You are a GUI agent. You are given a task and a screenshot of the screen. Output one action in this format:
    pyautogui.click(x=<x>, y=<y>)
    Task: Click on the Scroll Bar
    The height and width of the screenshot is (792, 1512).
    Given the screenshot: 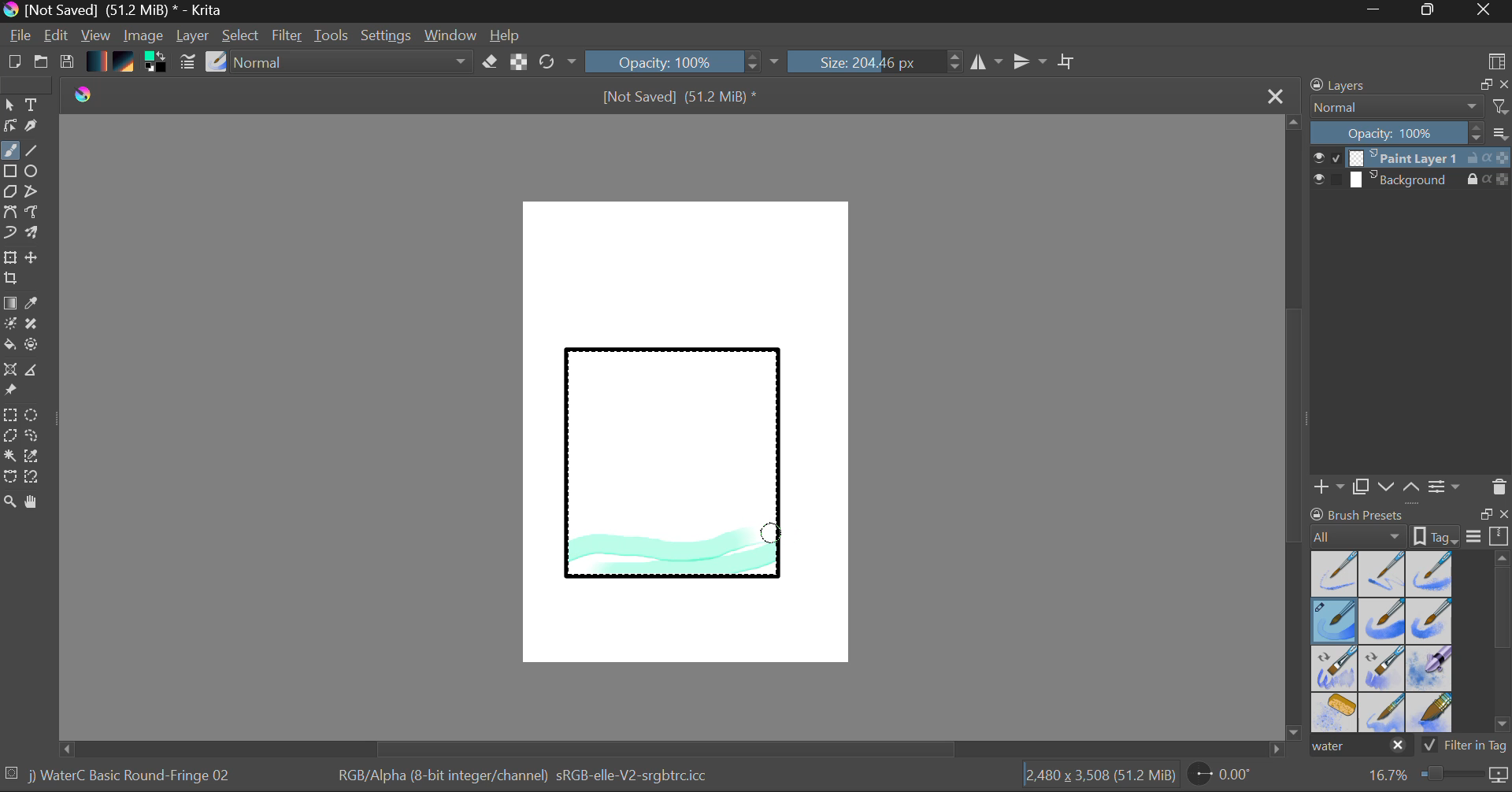 What is the action you would take?
    pyautogui.click(x=1295, y=429)
    